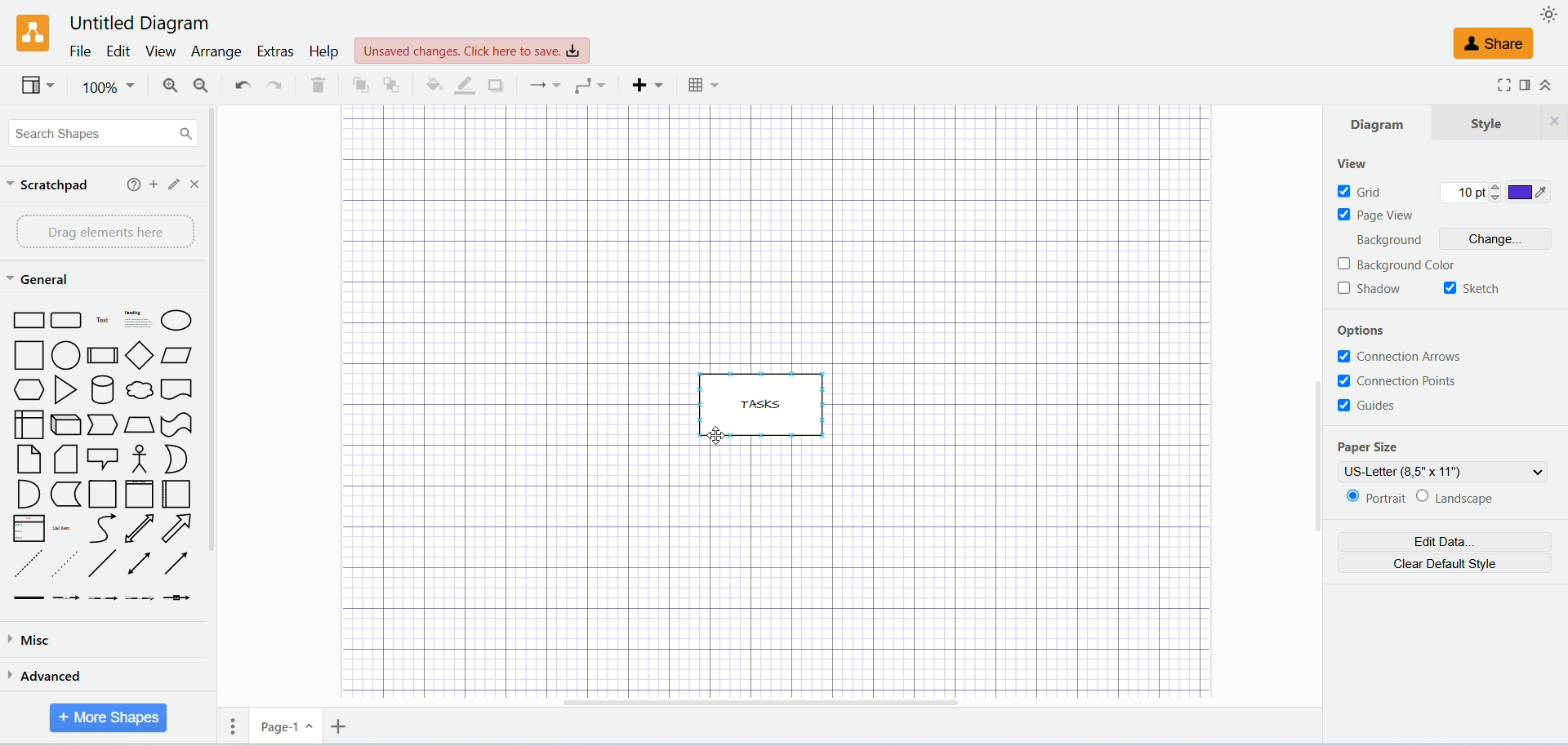 Image resolution: width=1568 pixels, height=746 pixels. I want to click on more shapes, so click(109, 718).